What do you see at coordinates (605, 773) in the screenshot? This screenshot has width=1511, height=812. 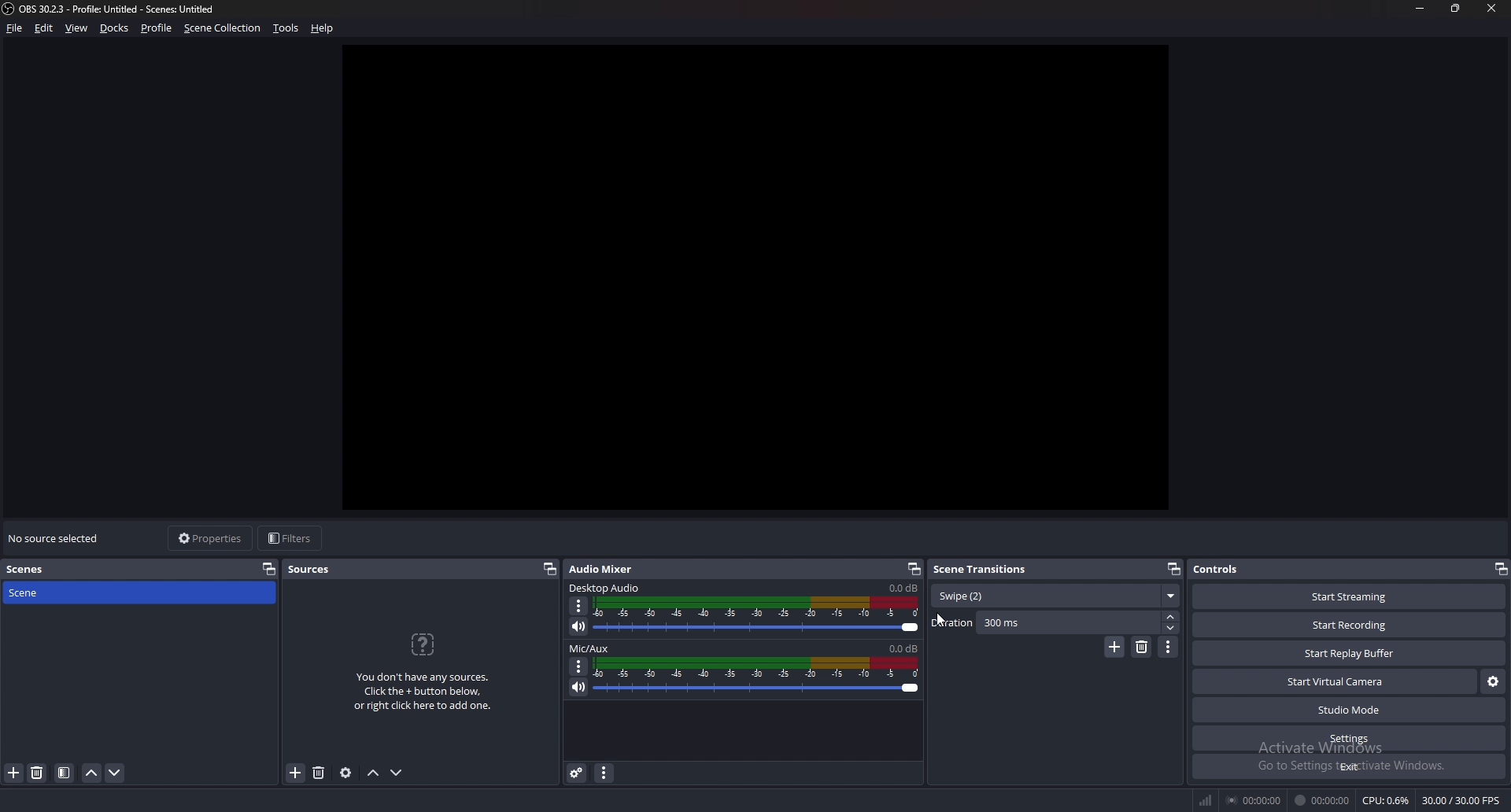 I see `audio mixer properties` at bounding box center [605, 773].